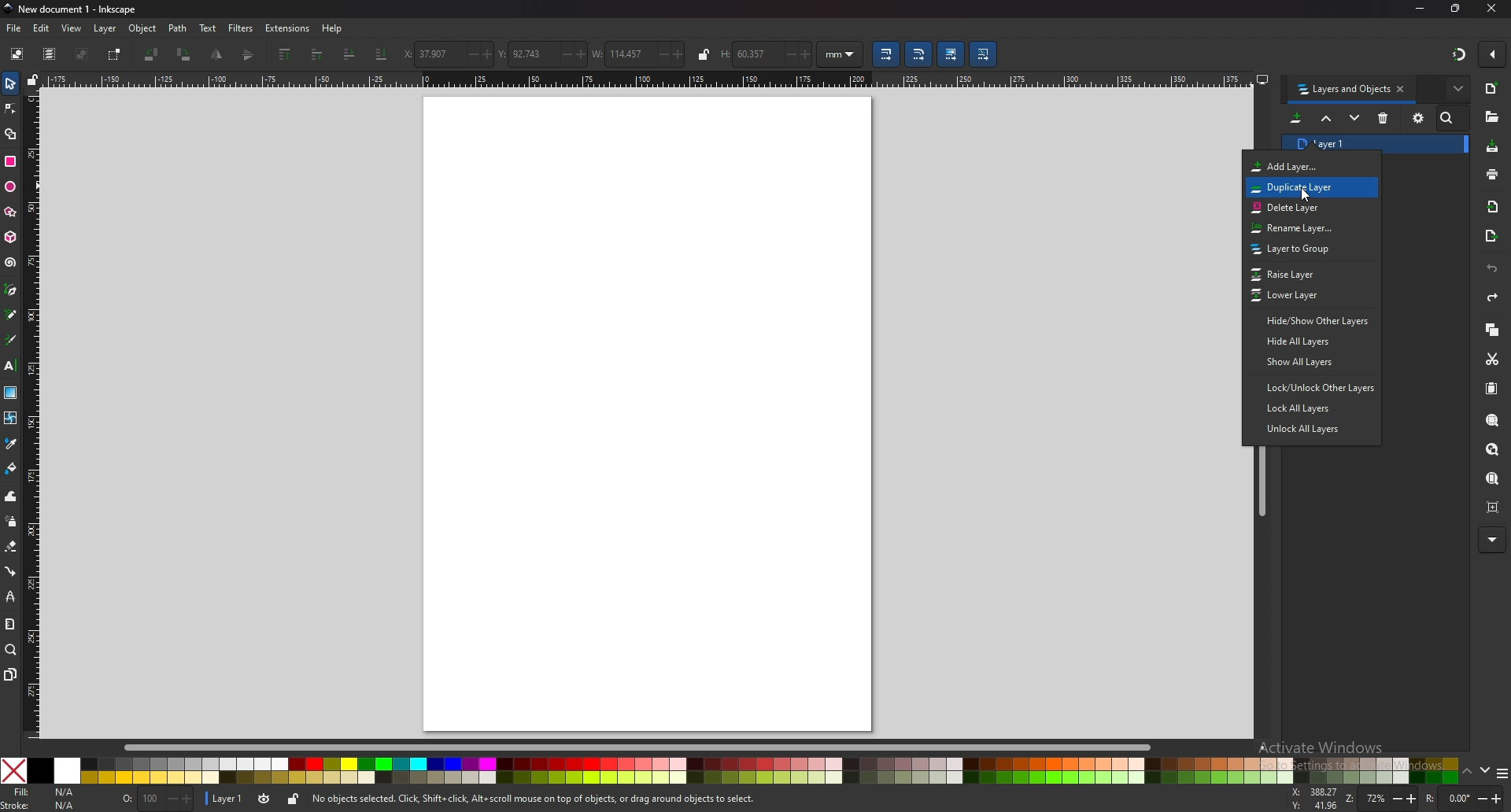 Image resolution: width=1511 pixels, height=812 pixels. Describe the element at coordinates (33, 410) in the screenshot. I see `vertical scale` at that location.